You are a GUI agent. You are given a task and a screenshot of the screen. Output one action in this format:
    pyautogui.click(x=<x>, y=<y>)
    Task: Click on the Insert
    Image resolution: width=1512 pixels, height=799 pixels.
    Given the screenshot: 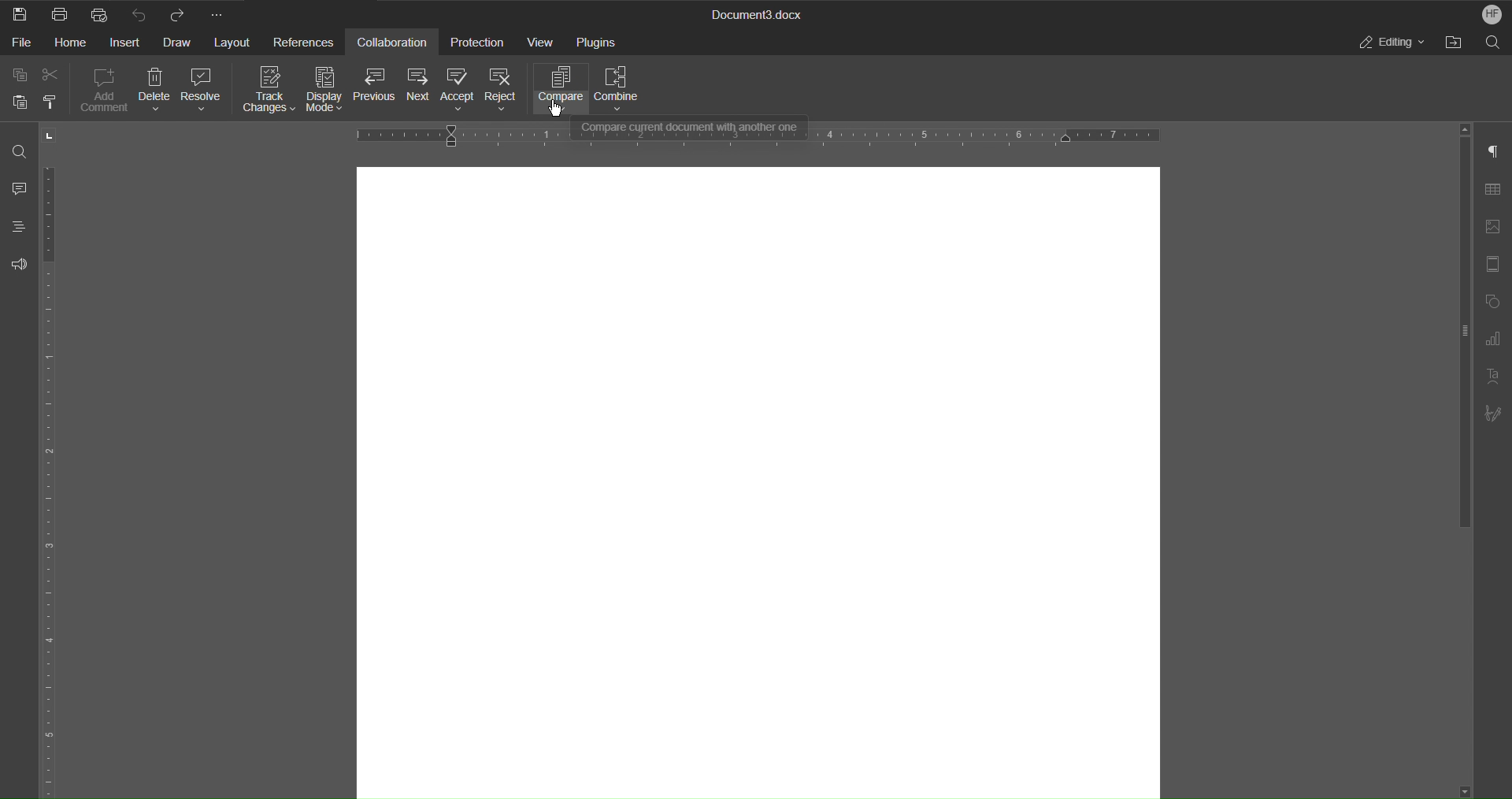 What is the action you would take?
    pyautogui.click(x=128, y=46)
    